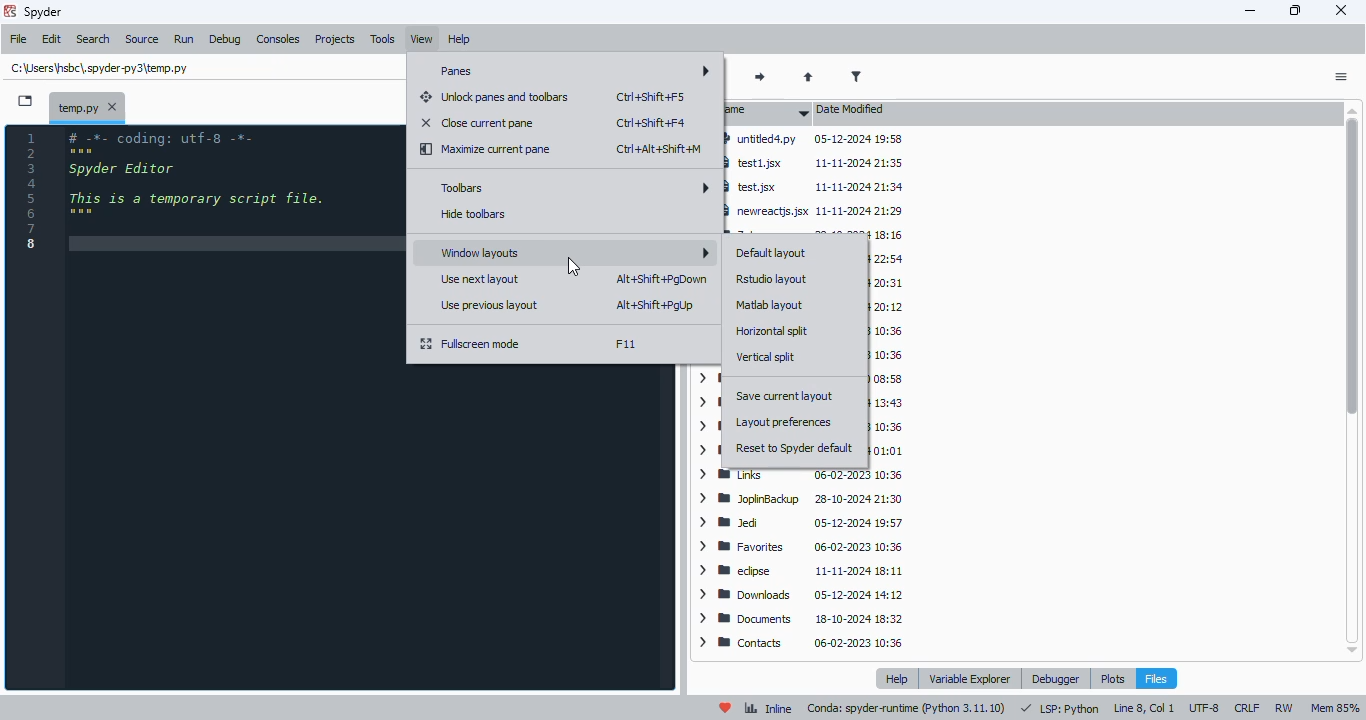 This screenshot has width=1366, height=720. Describe the element at coordinates (143, 40) in the screenshot. I see `source` at that location.